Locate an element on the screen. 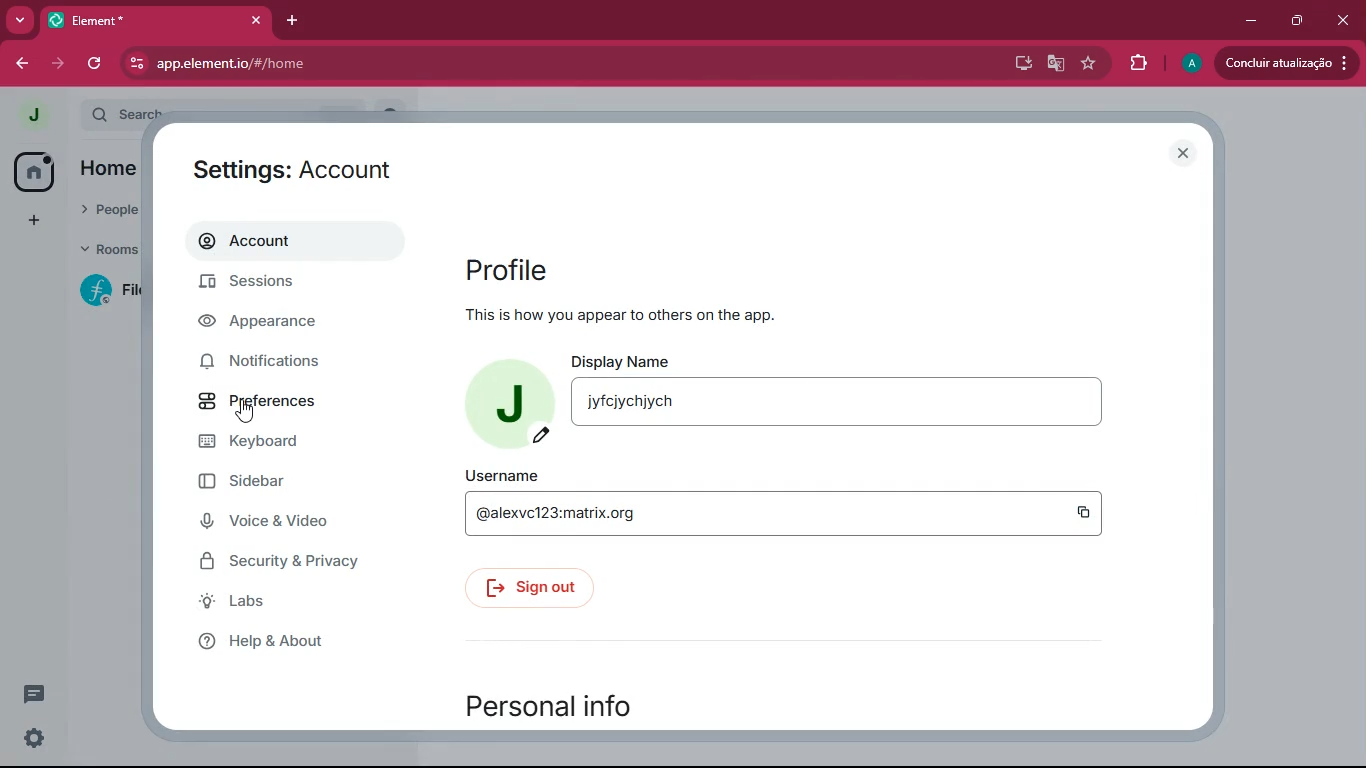 This screenshot has width=1366, height=768. cursor on preferences is located at coordinates (247, 411).